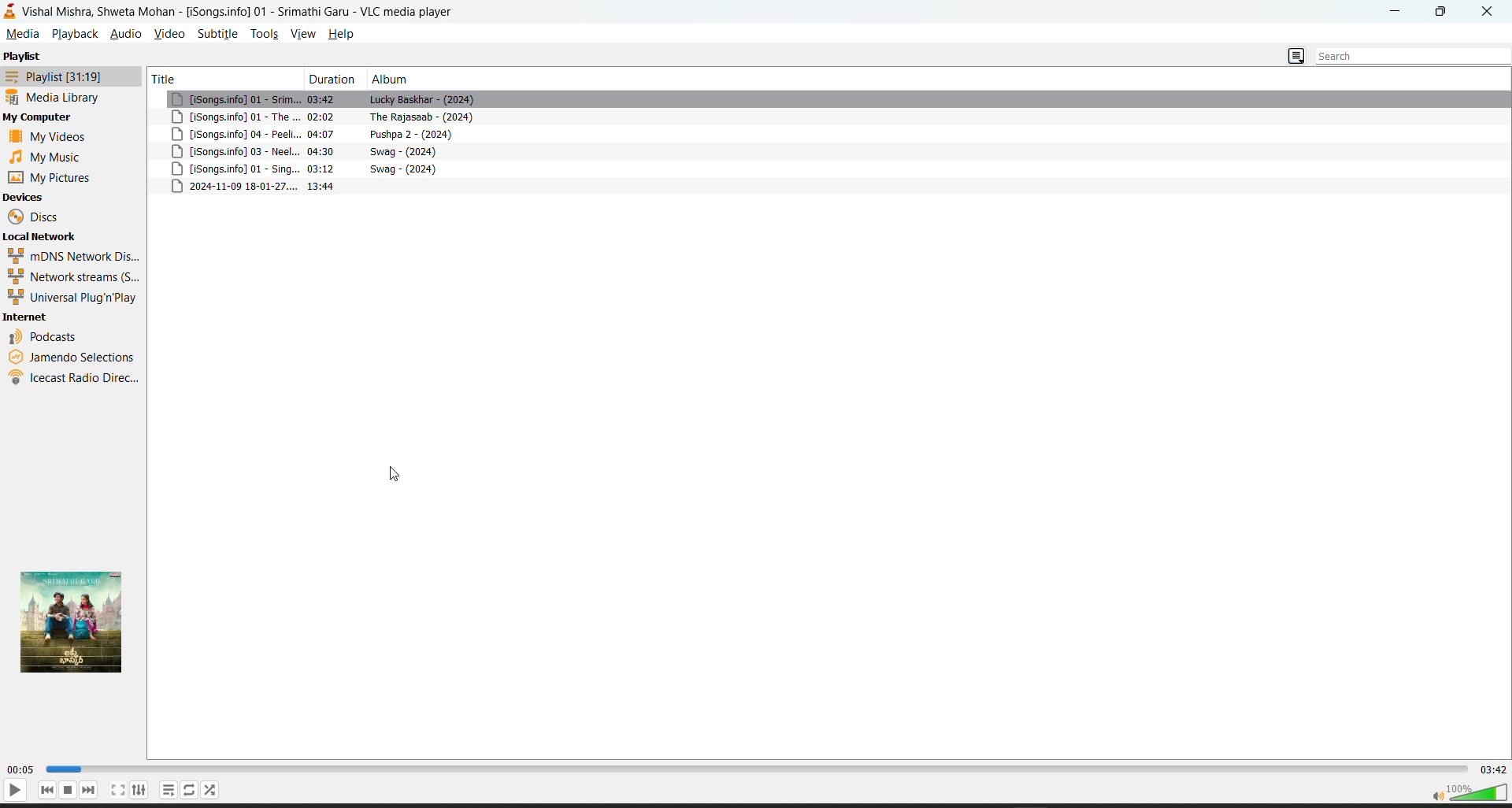 The width and height of the screenshot is (1512, 808). I want to click on video, so click(168, 32).